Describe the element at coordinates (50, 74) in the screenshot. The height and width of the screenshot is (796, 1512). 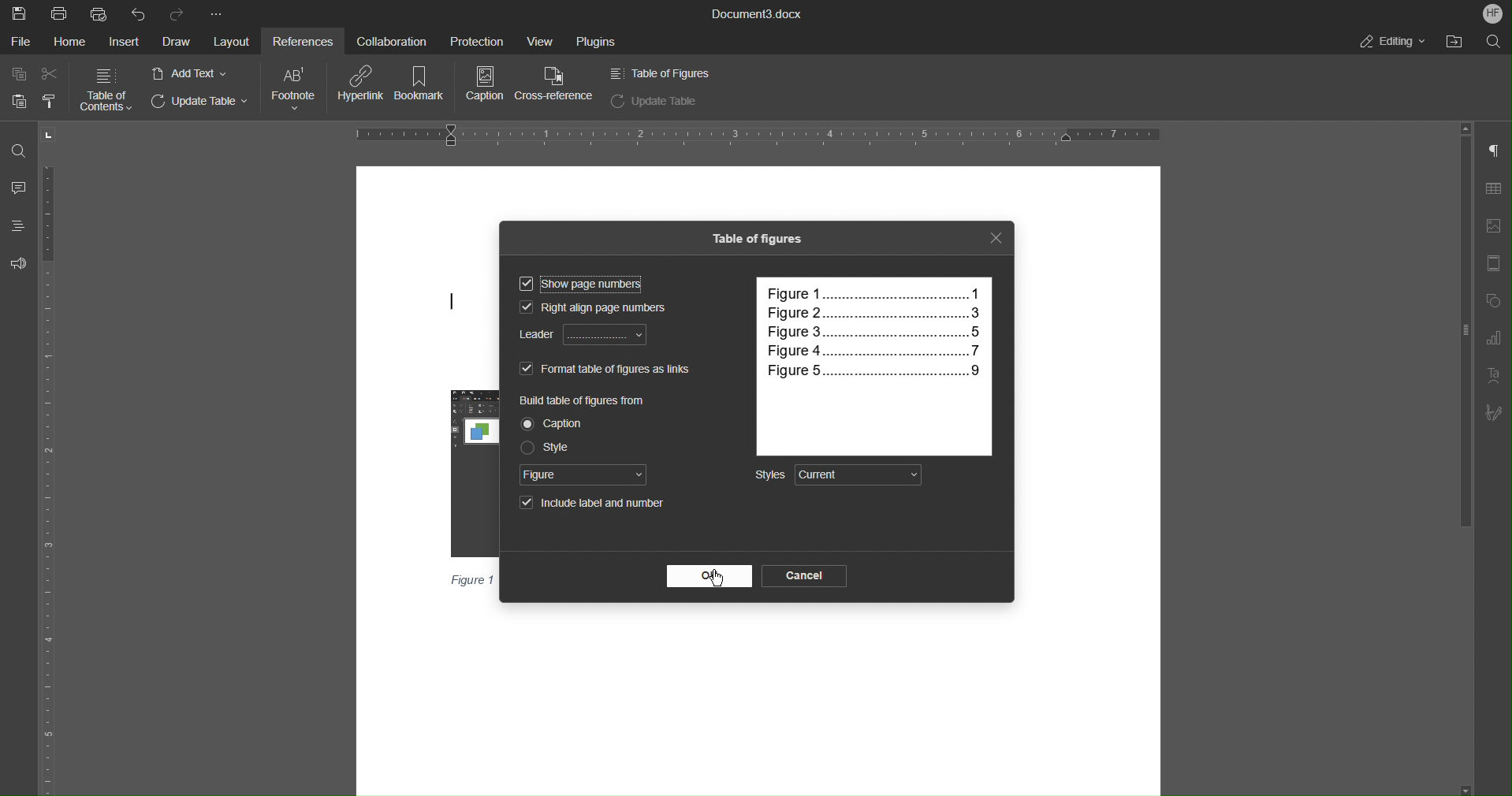
I see `Cut` at that location.